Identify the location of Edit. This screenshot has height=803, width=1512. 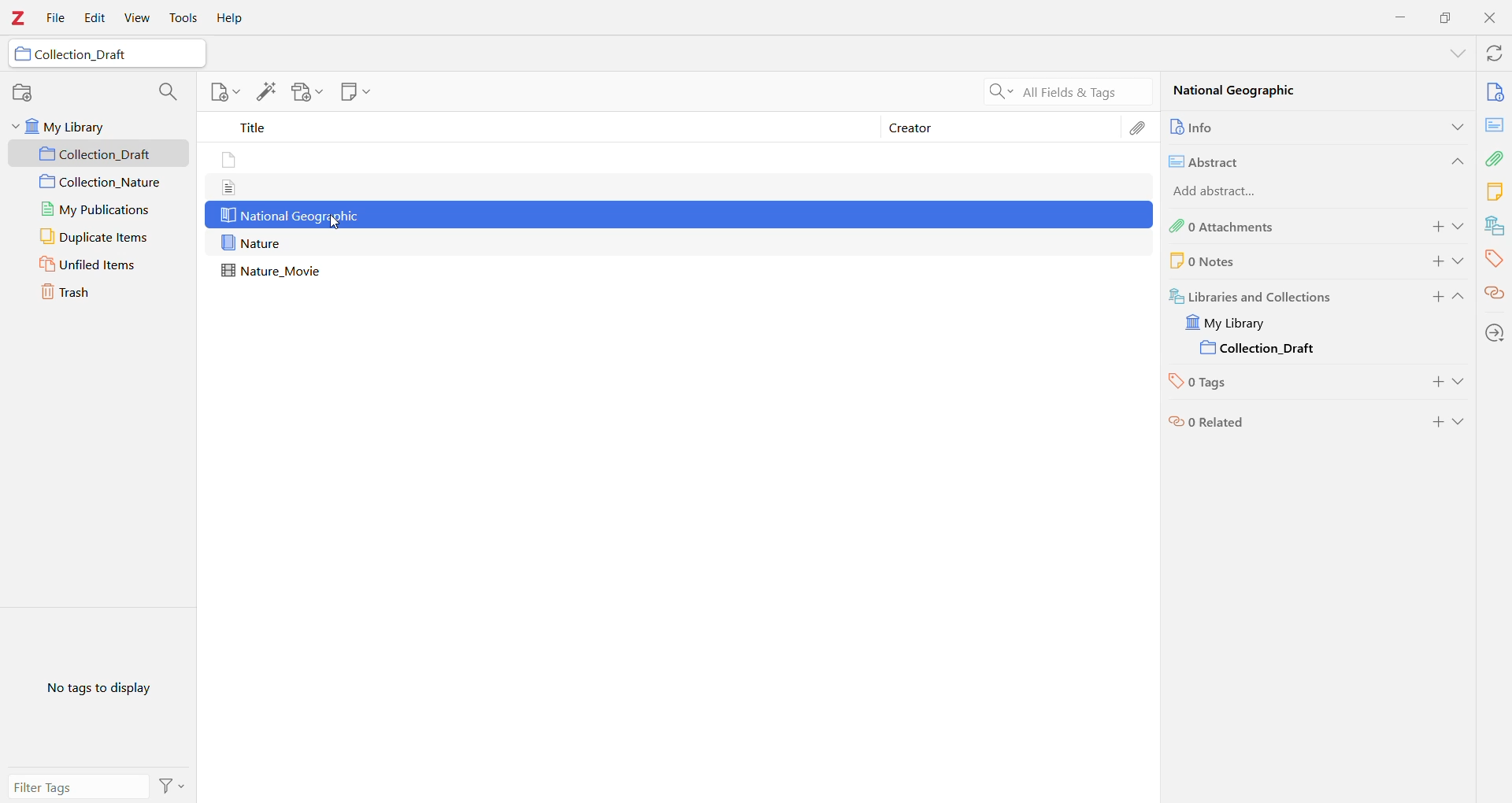
(94, 18).